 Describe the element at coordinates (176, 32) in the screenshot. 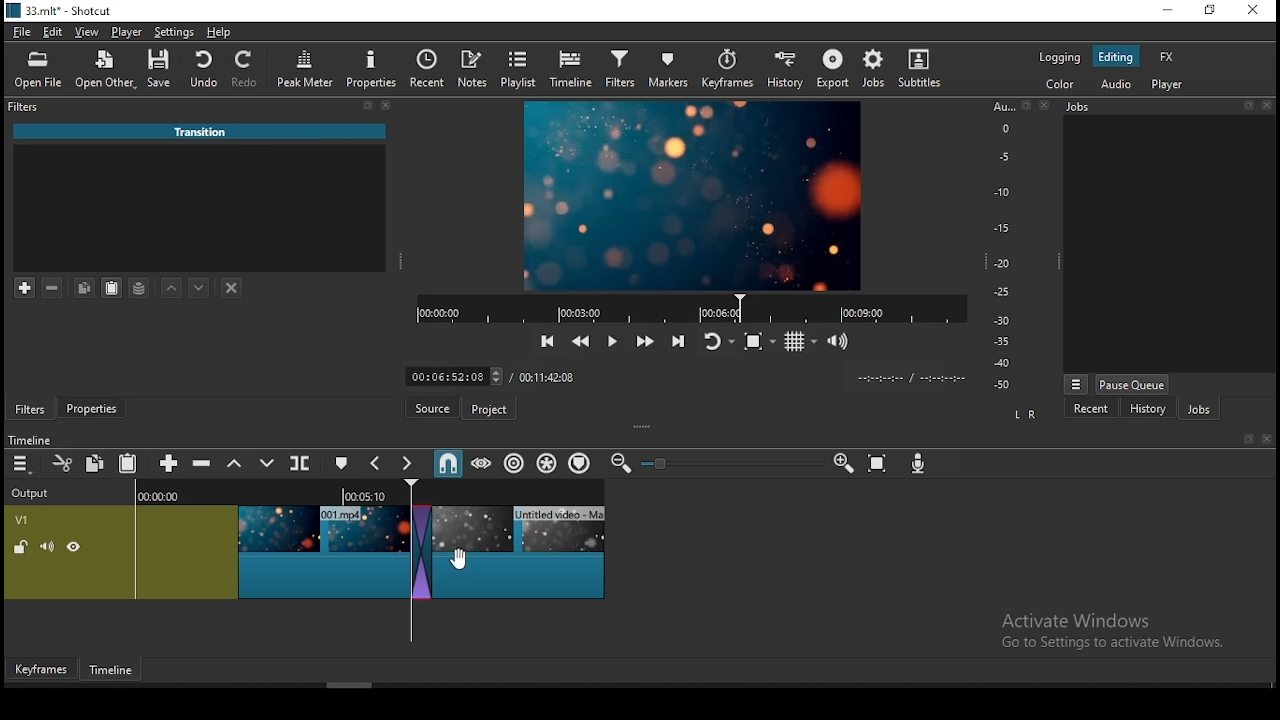

I see `settings` at that location.